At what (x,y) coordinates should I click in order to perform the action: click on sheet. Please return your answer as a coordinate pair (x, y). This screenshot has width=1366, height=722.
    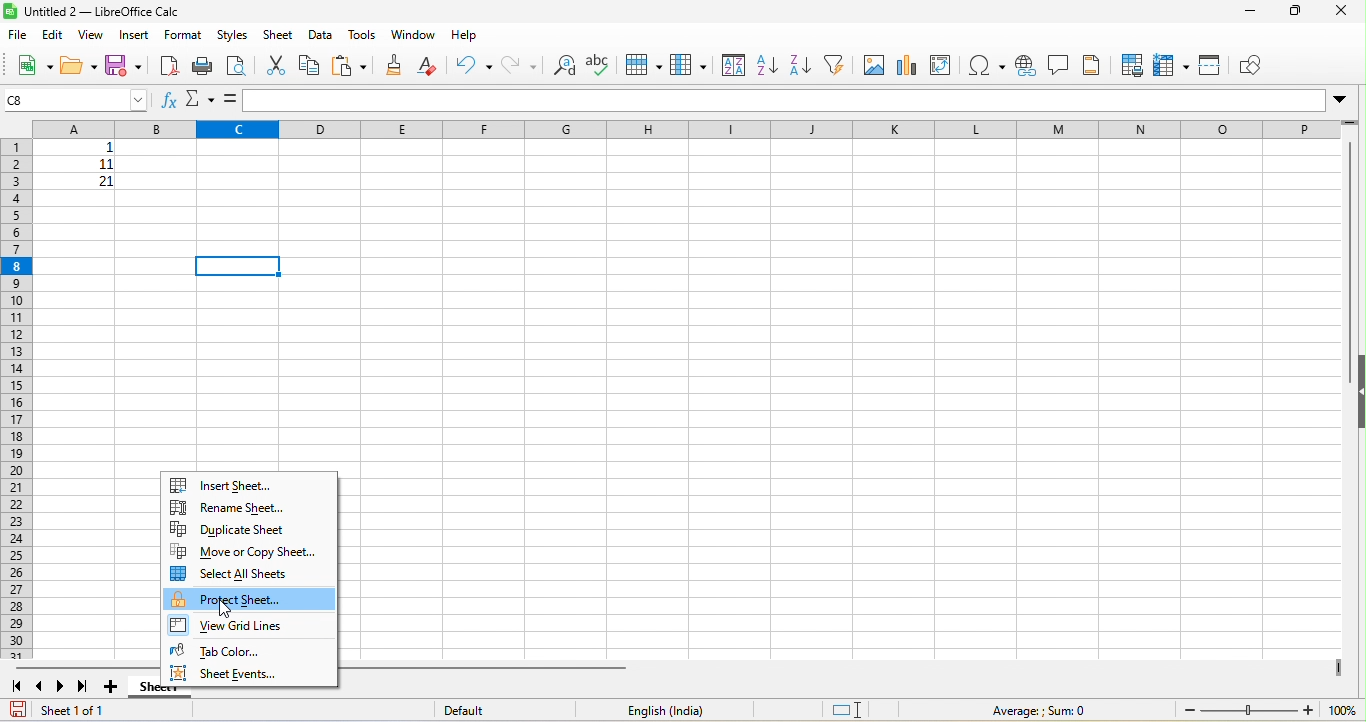
    Looking at the image, I should click on (280, 35).